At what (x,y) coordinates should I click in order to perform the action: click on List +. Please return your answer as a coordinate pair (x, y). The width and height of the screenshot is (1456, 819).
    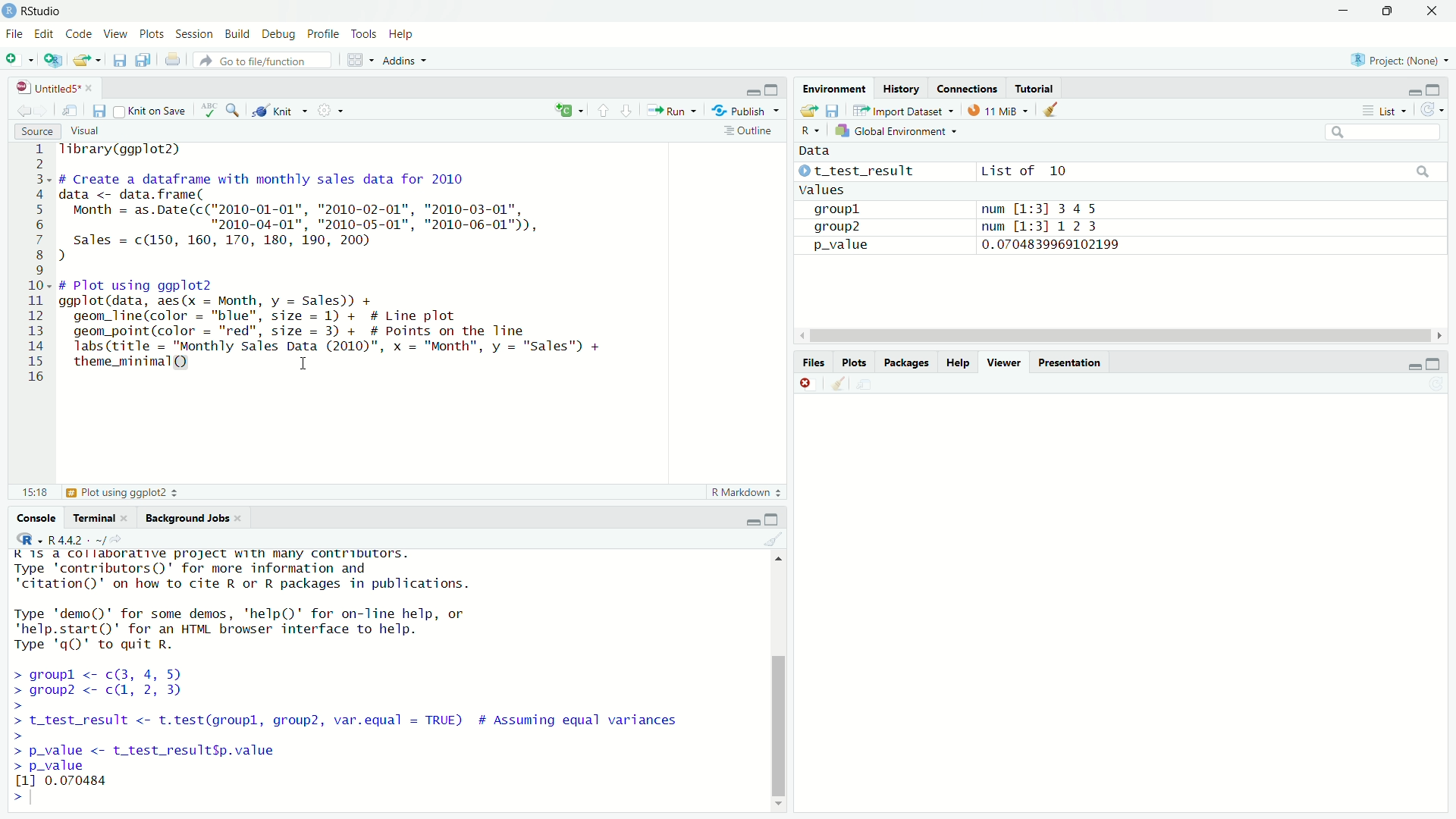
    Looking at the image, I should click on (1382, 110).